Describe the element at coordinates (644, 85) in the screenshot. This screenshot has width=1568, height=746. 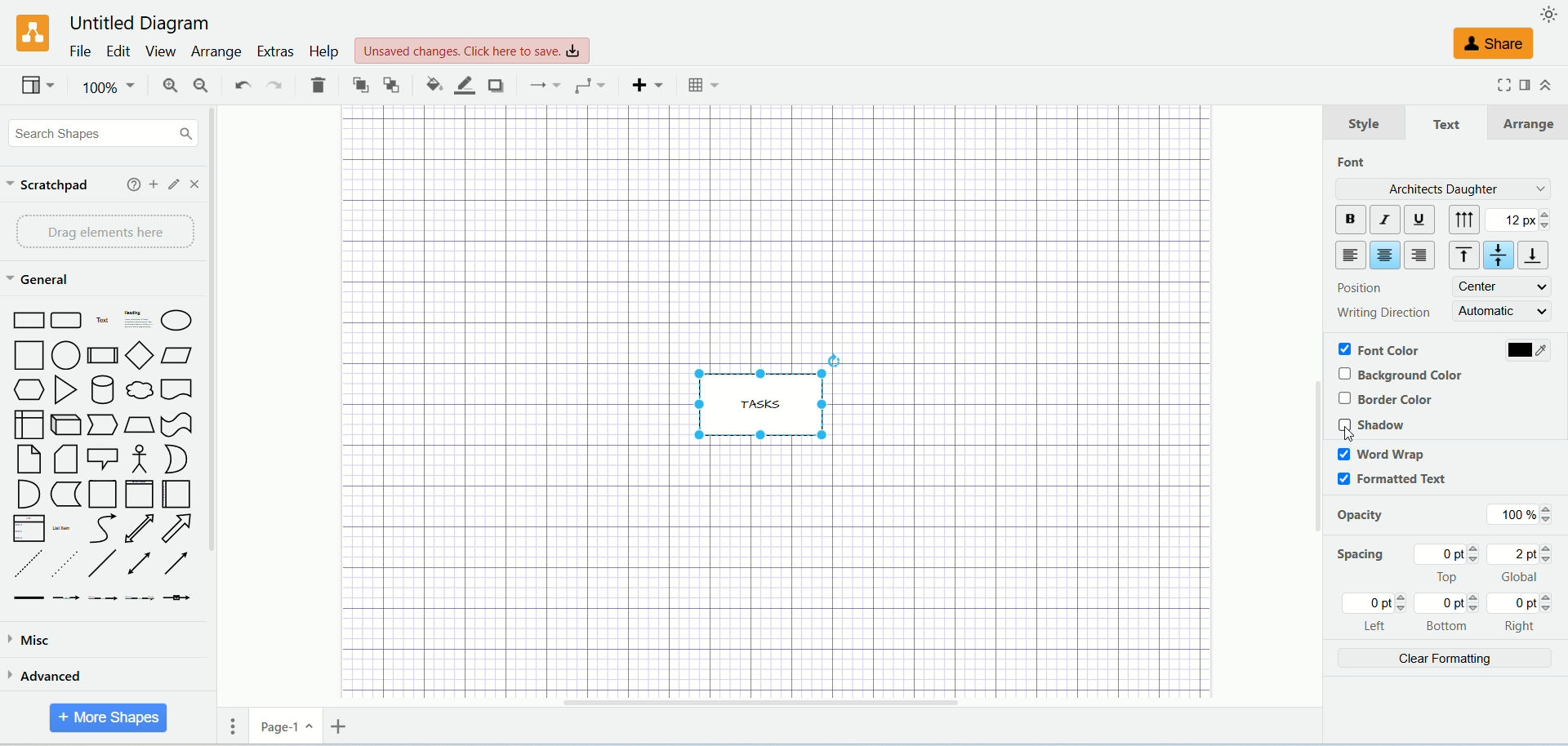
I see `insert` at that location.